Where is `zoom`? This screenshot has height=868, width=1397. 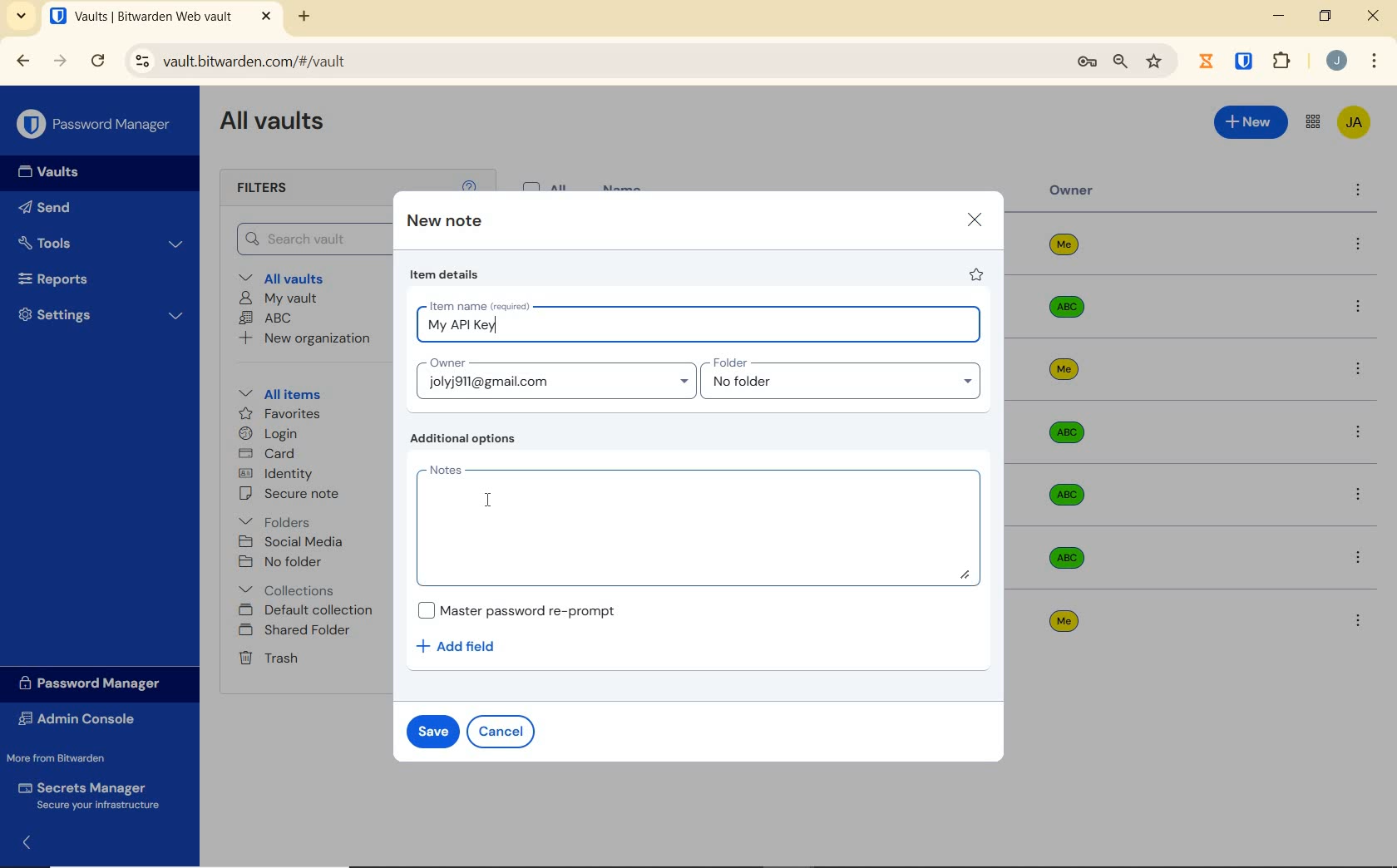 zoom is located at coordinates (1118, 62).